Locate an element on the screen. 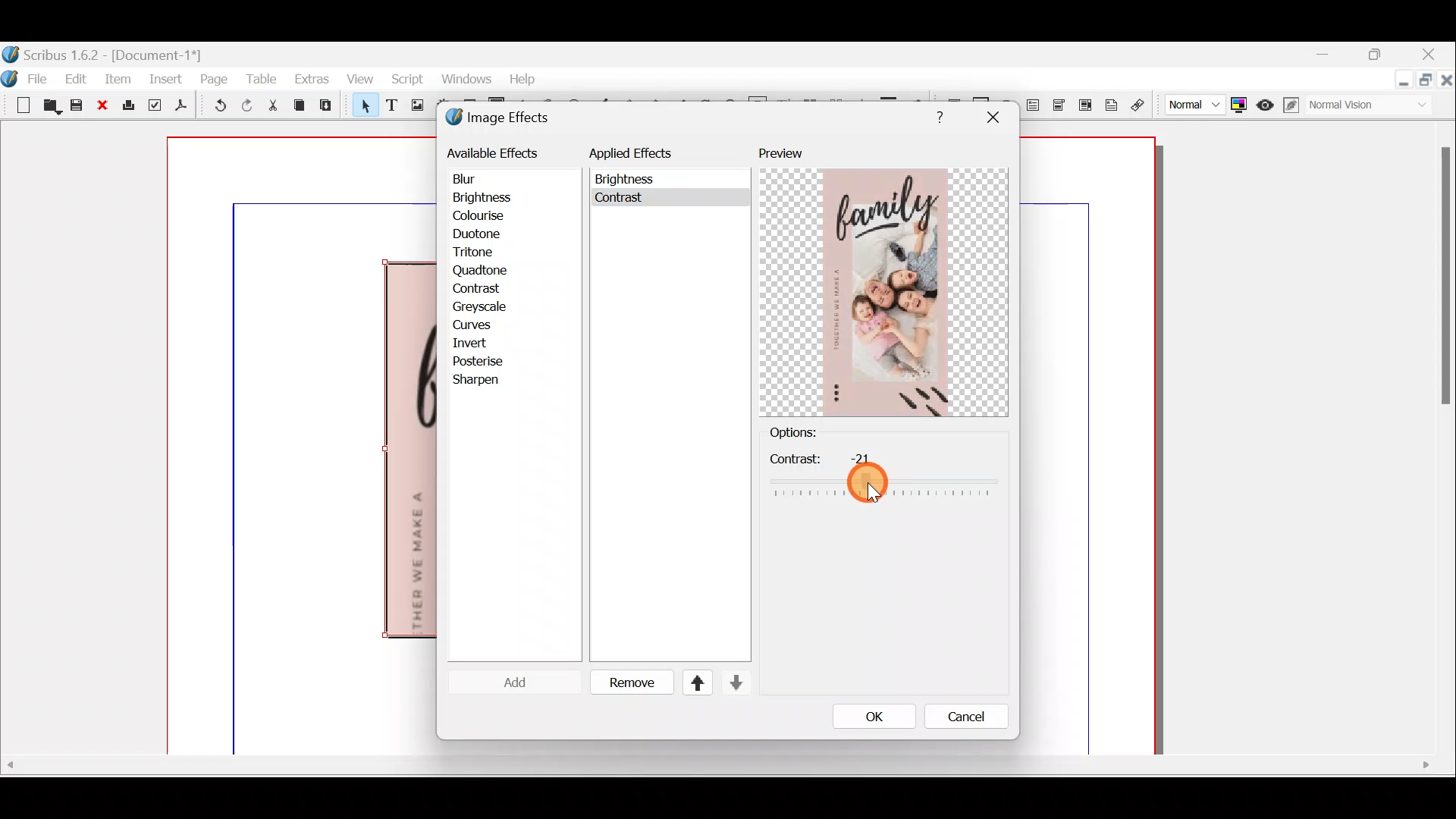  Applied effects is located at coordinates (643, 157).